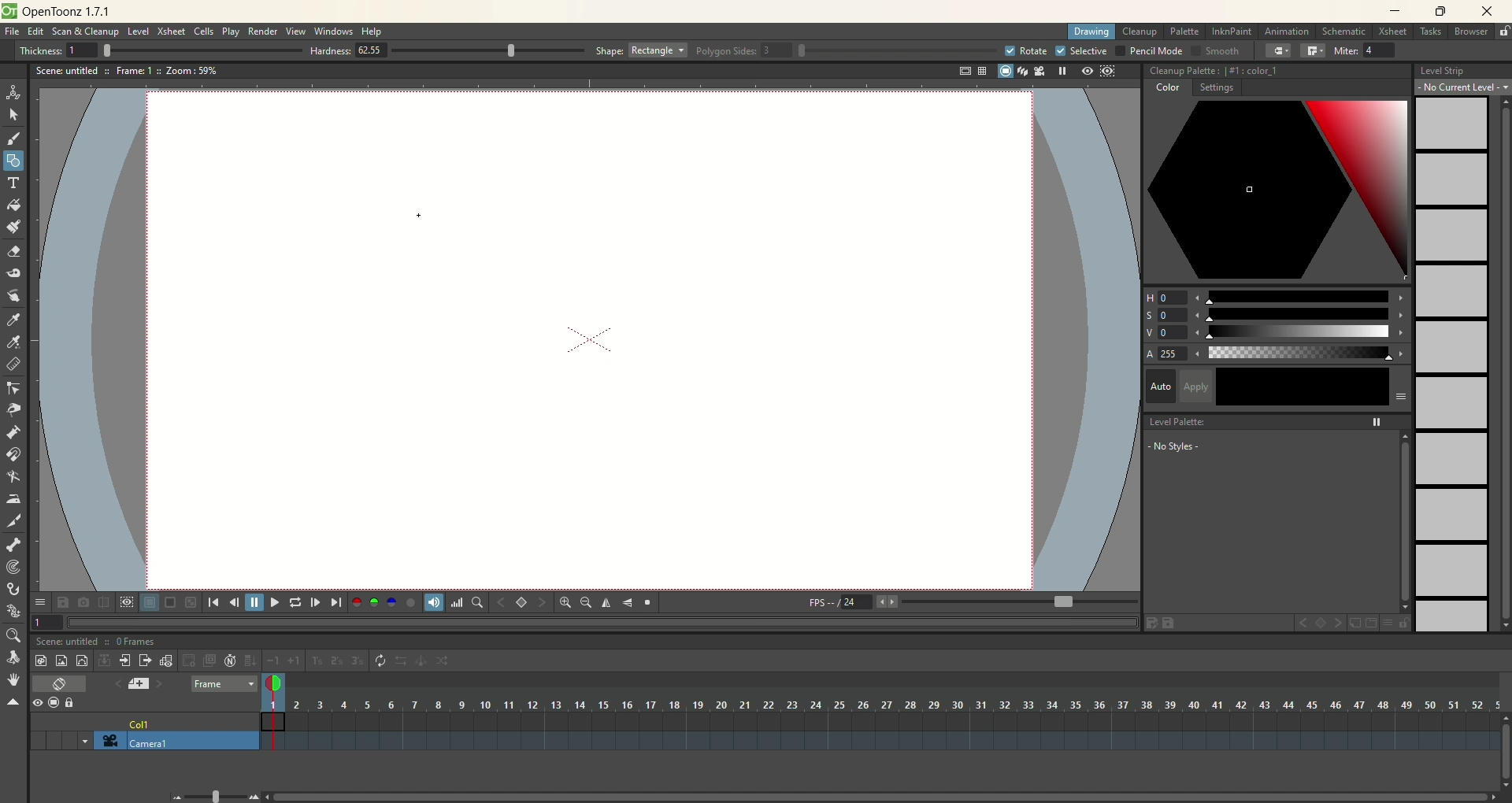 This screenshot has width=1512, height=803. Describe the element at coordinates (1369, 624) in the screenshot. I see `new page` at that location.